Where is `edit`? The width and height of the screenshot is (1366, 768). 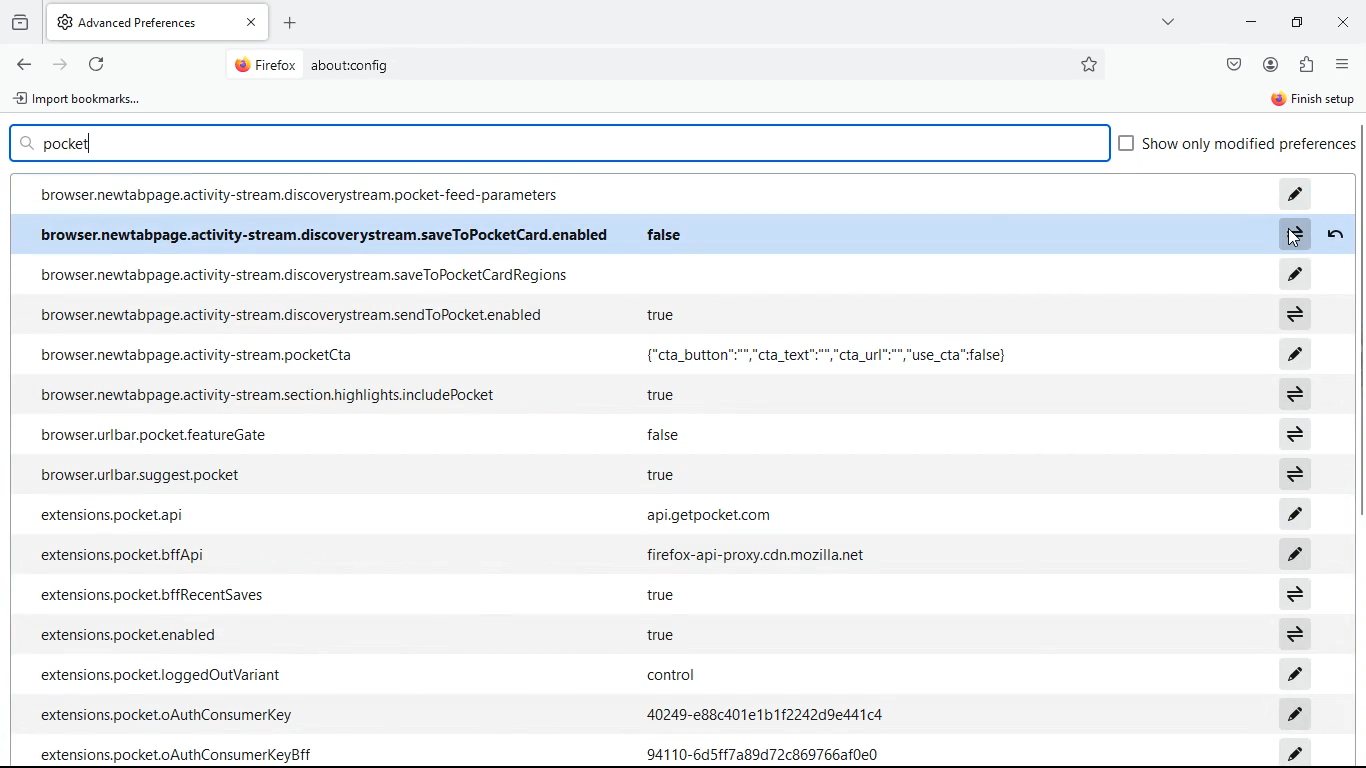
edit is located at coordinates (1295, 515).